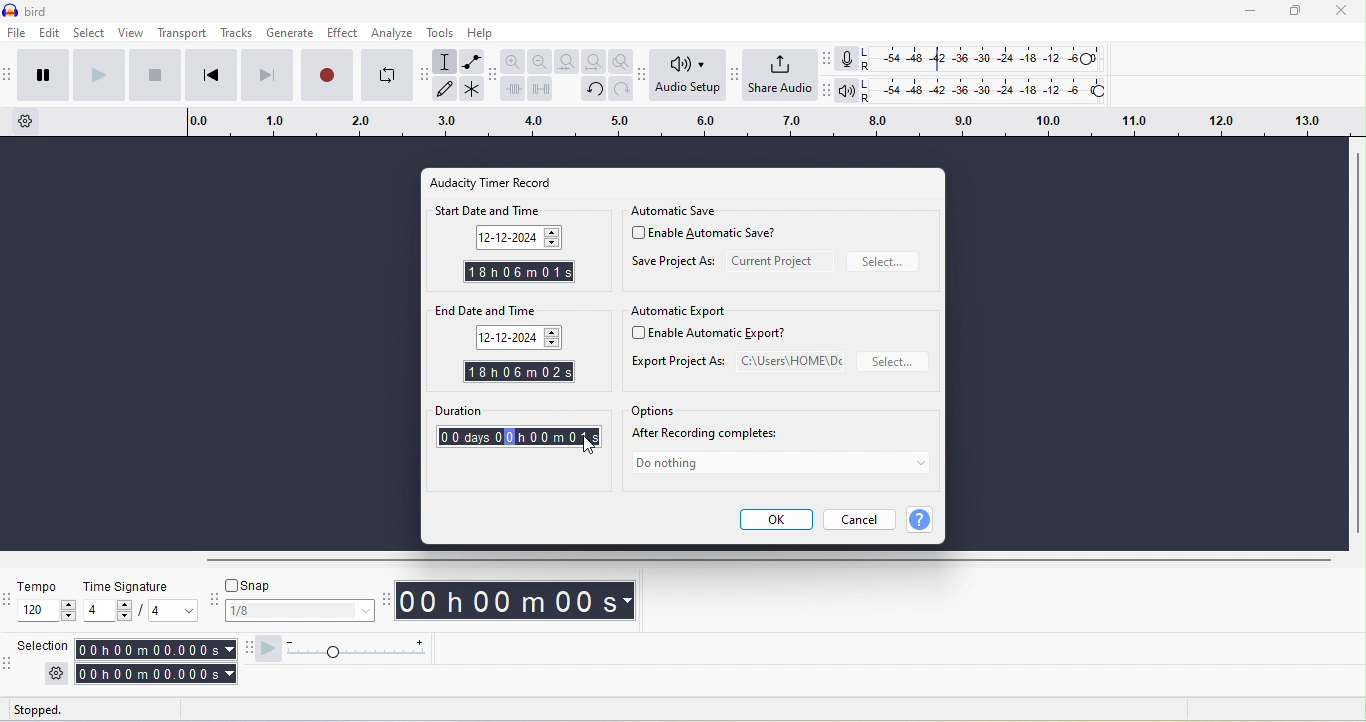 Image resolution: width=1366 pixels, height=722 pixels. I want to click on skip to end, so click(266, 78).